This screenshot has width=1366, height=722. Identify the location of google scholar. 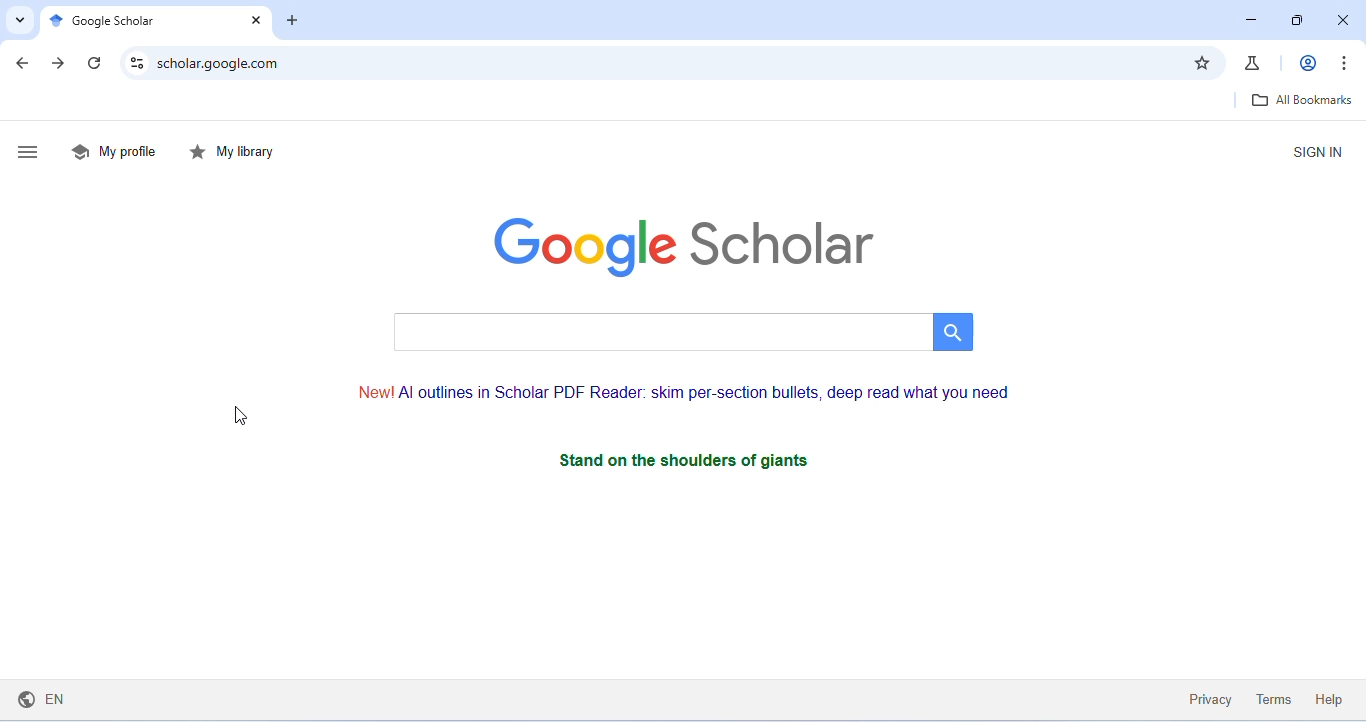
(120, 23).